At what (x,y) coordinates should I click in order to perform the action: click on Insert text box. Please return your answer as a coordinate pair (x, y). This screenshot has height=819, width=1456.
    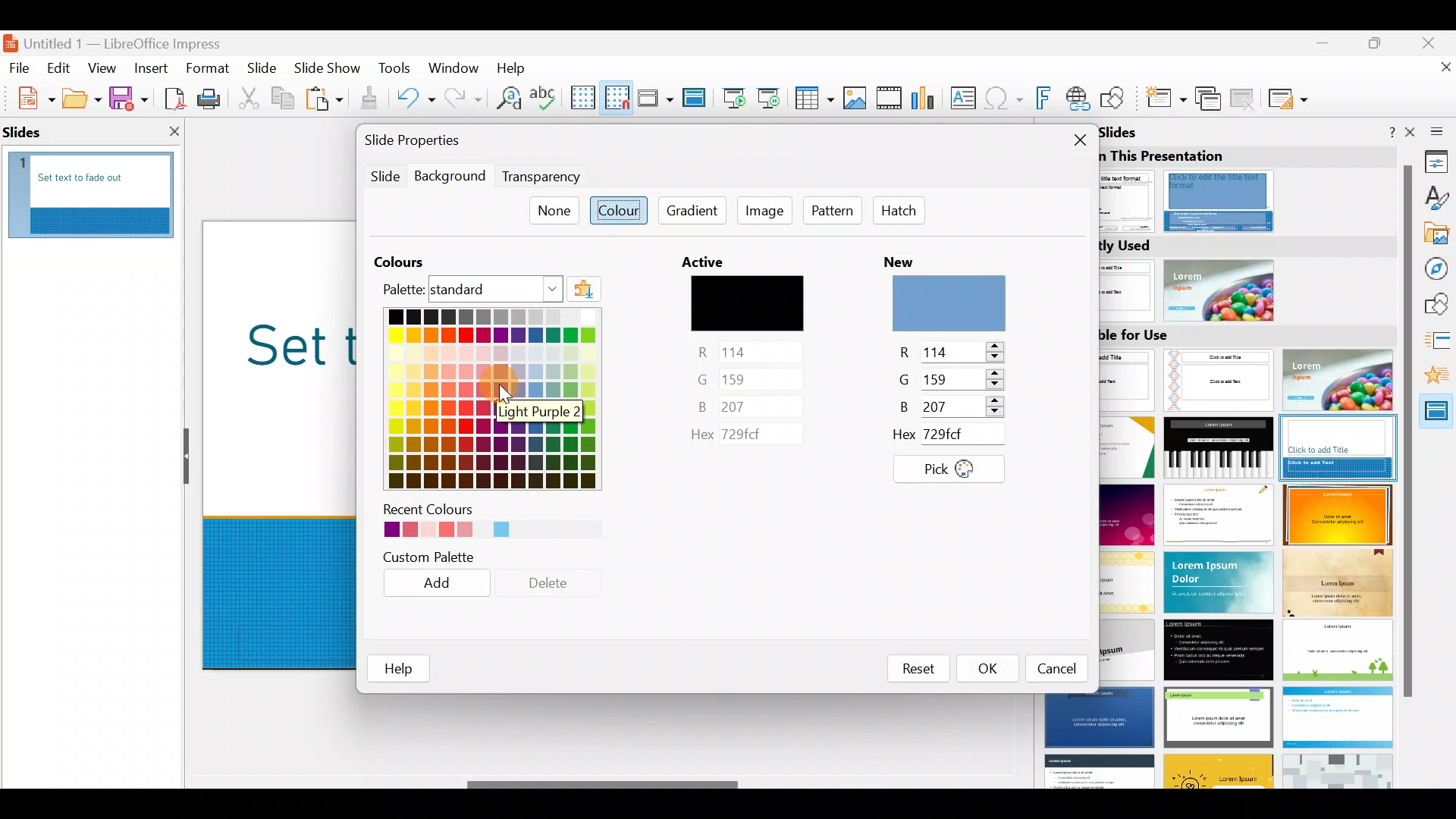
    Looking at the image, I should click on (966, 99).